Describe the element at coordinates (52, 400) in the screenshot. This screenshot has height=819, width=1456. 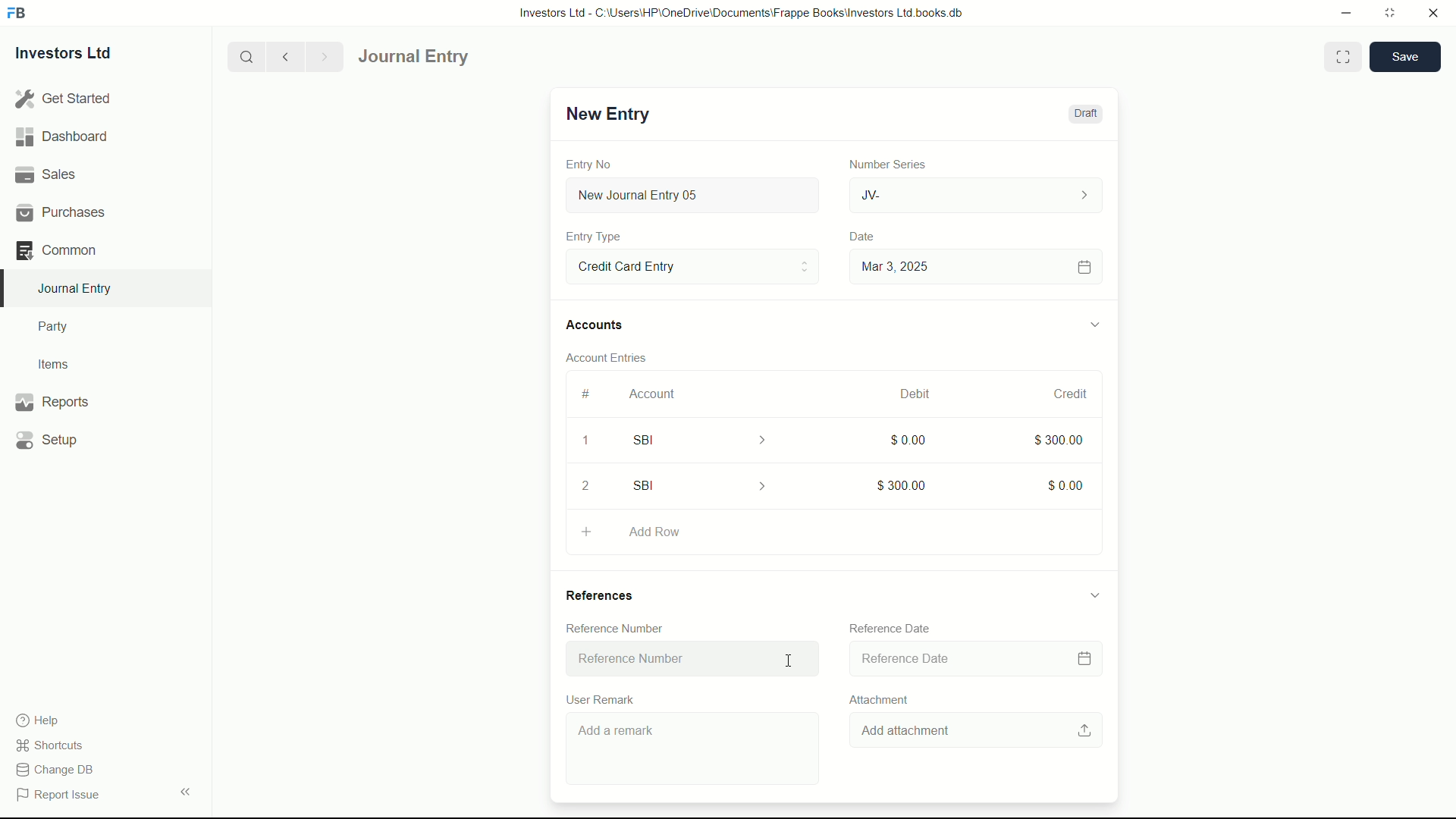
I see `Reports .` at that location.